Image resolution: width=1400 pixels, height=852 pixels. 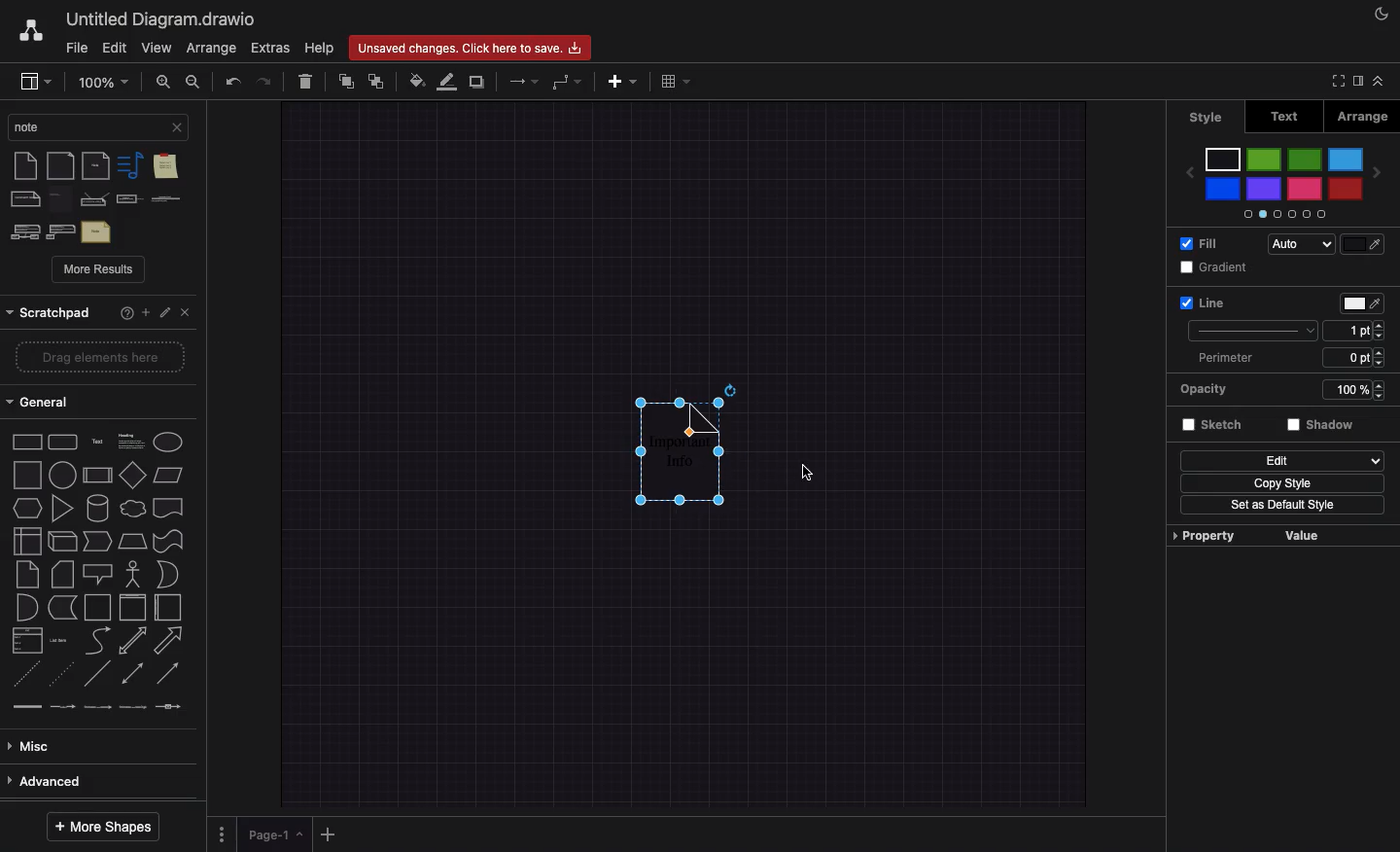 I want to click on heading, so click(x=130, y=440).